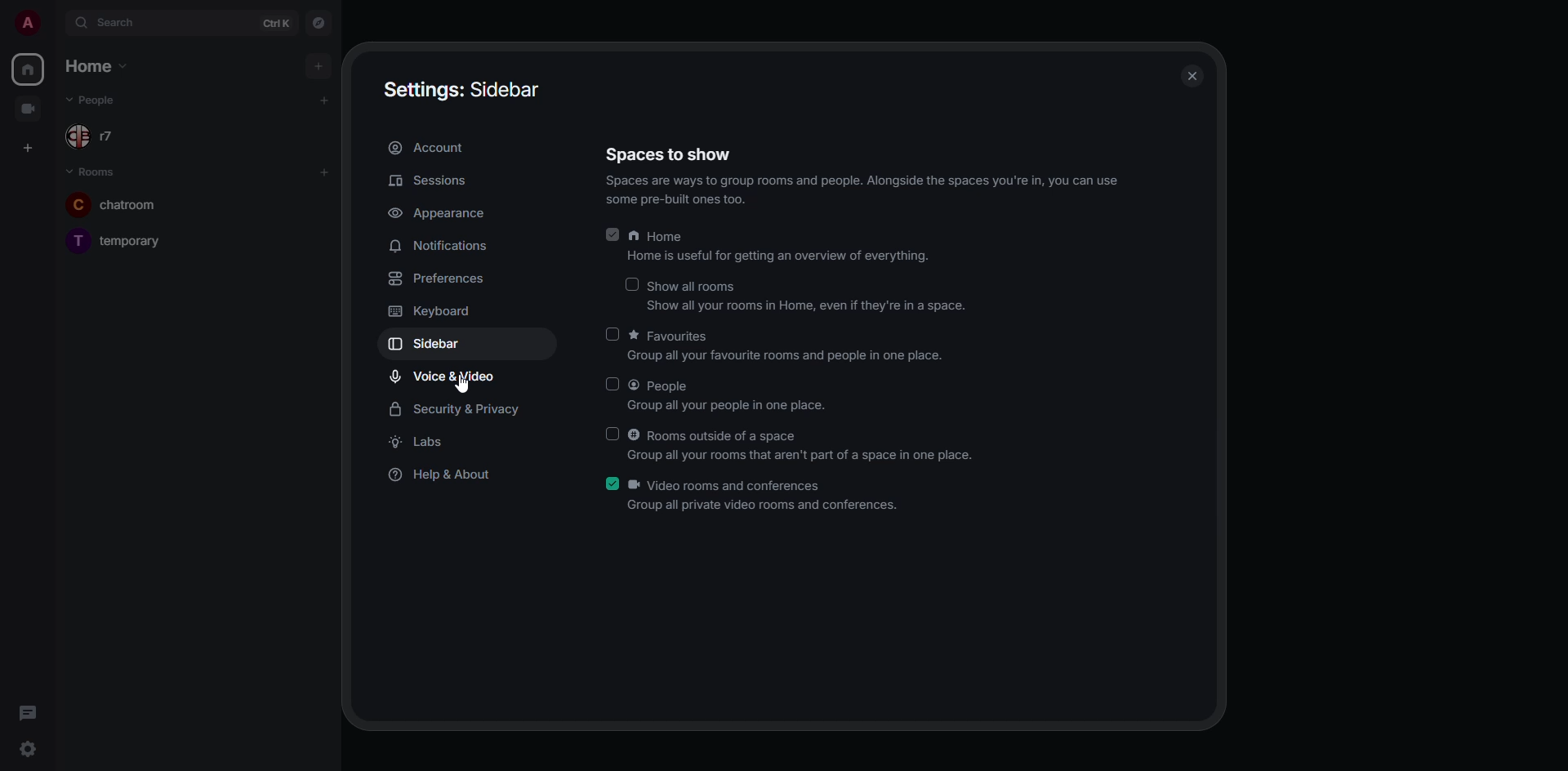  What do you see at coordinates (444, 247) in the screenshot?
I see `notifications` at bounding box center [444, 247].